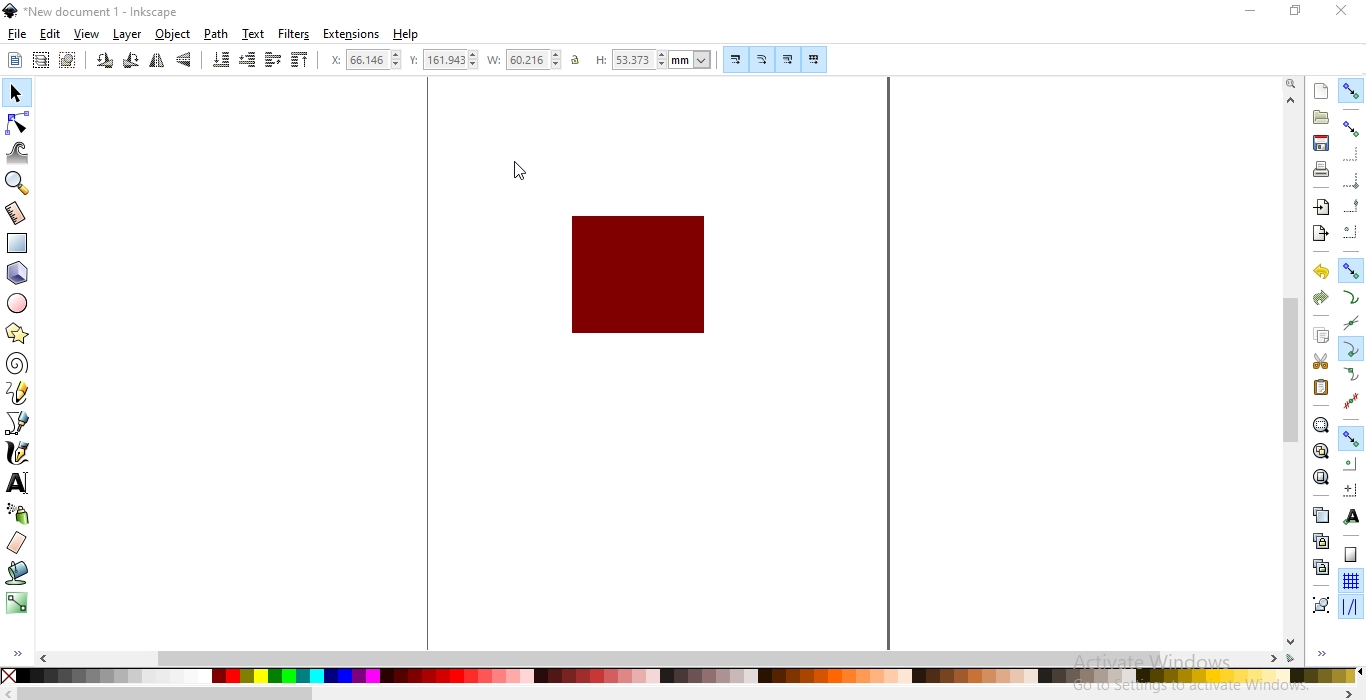 The height and width of the screenshot is (700, 1366). I want to click on cut the selected clones, so click(1321, 566).